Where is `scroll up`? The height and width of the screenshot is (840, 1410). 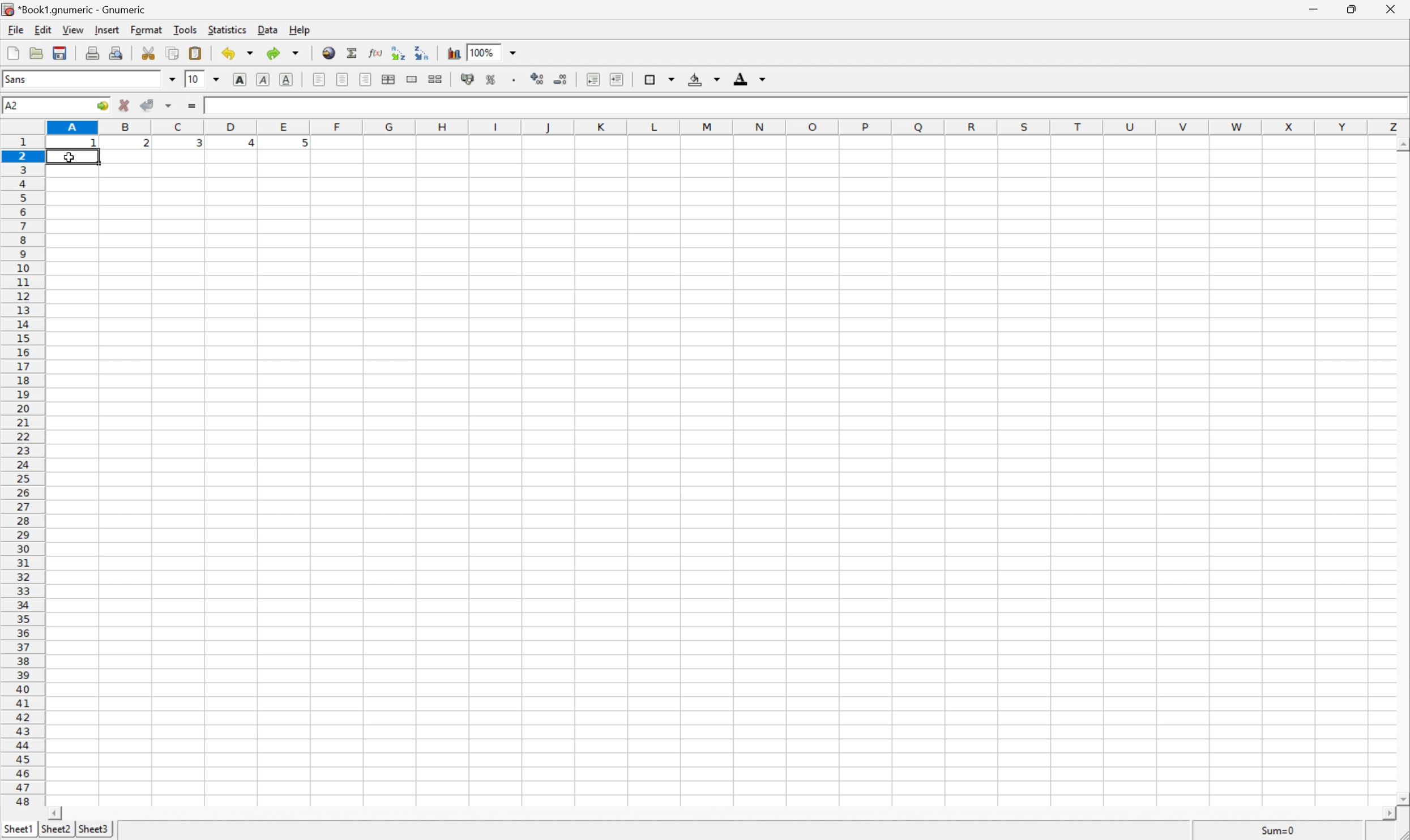 scroll up is located at coordinates (1401, 146).